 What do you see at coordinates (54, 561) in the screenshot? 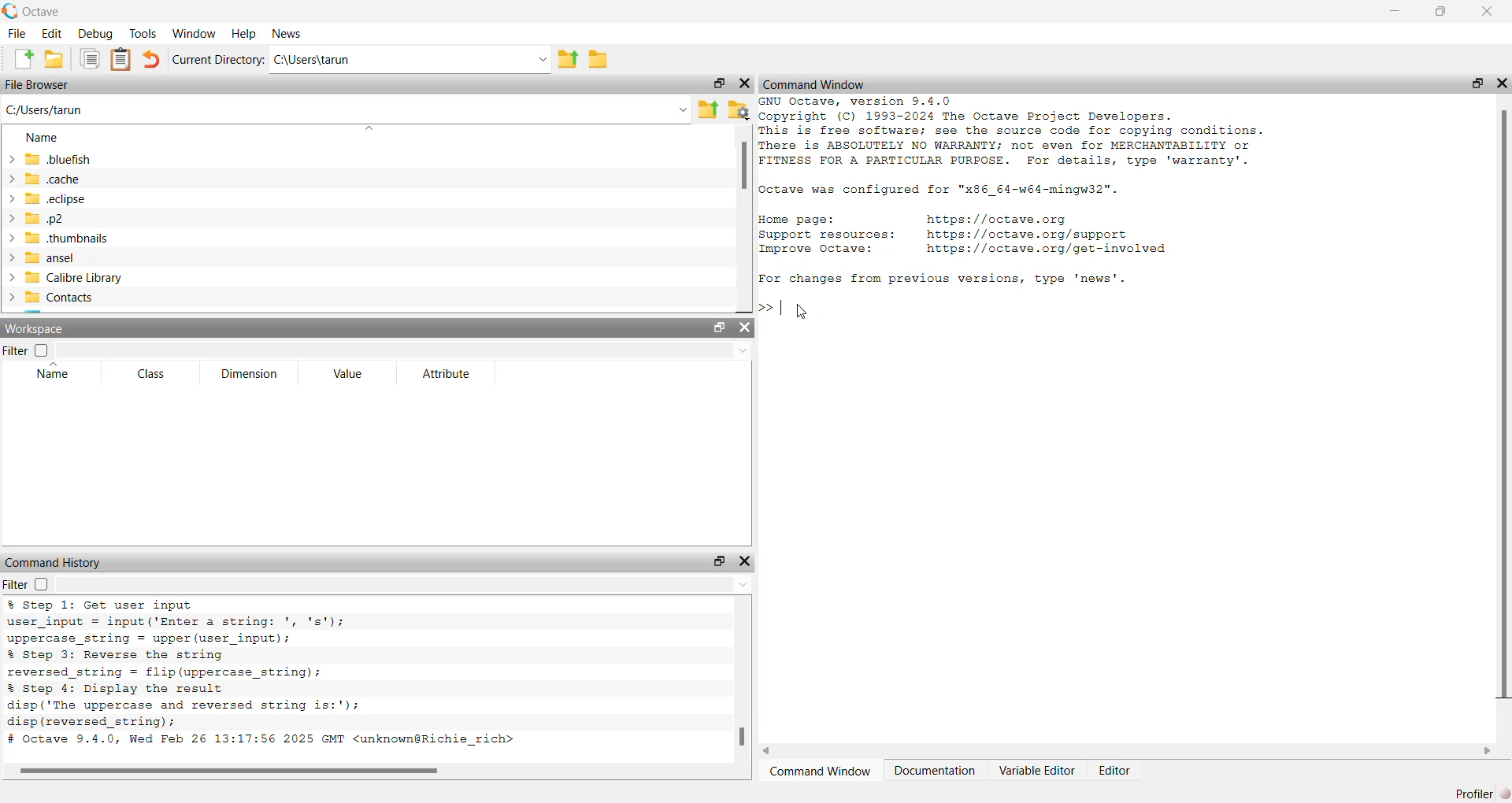
I see `command history` at bounding box center [54, 561].